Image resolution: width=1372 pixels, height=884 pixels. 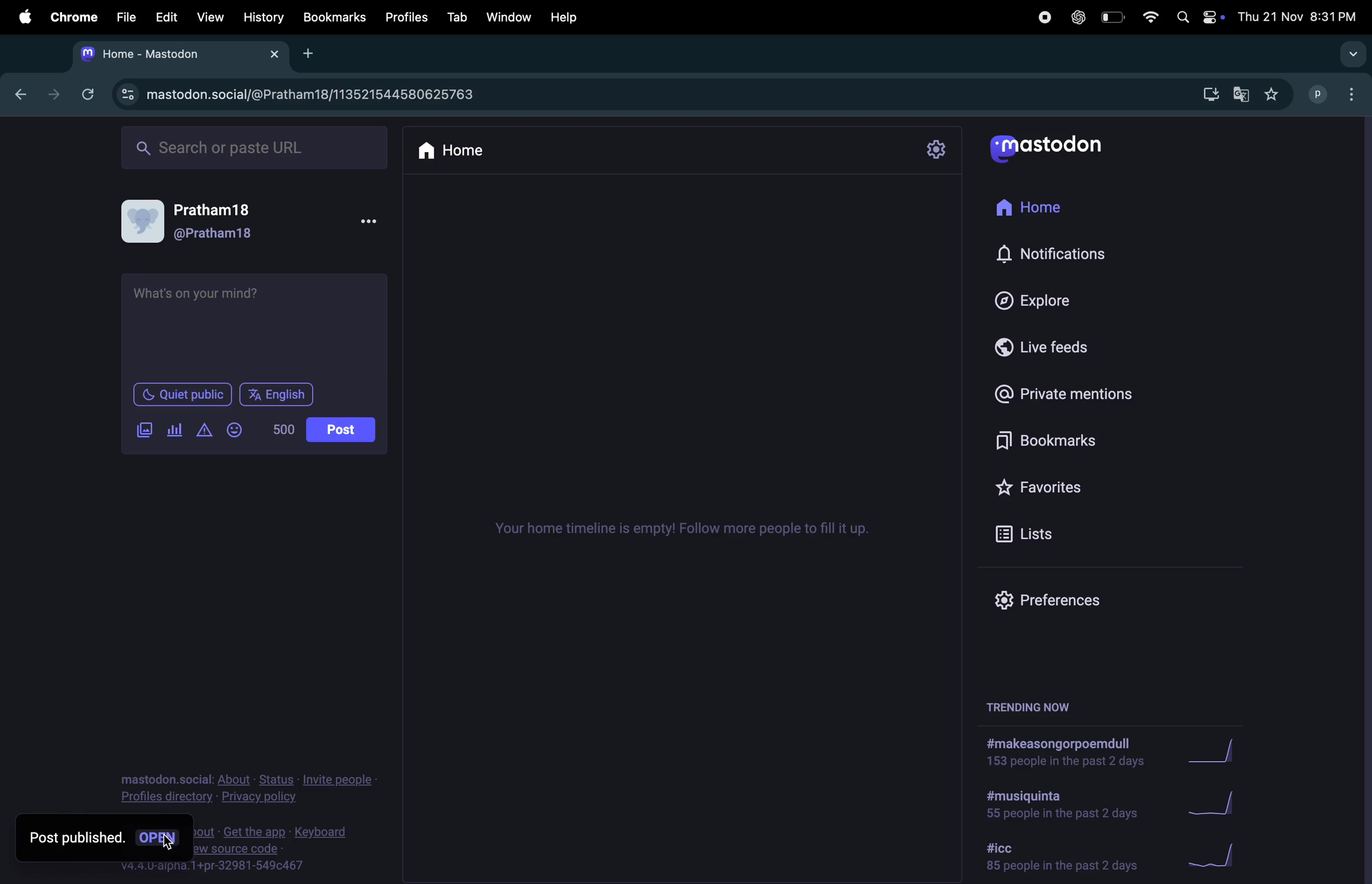 I want to click on hashtag, so click(x=1058, y=807).